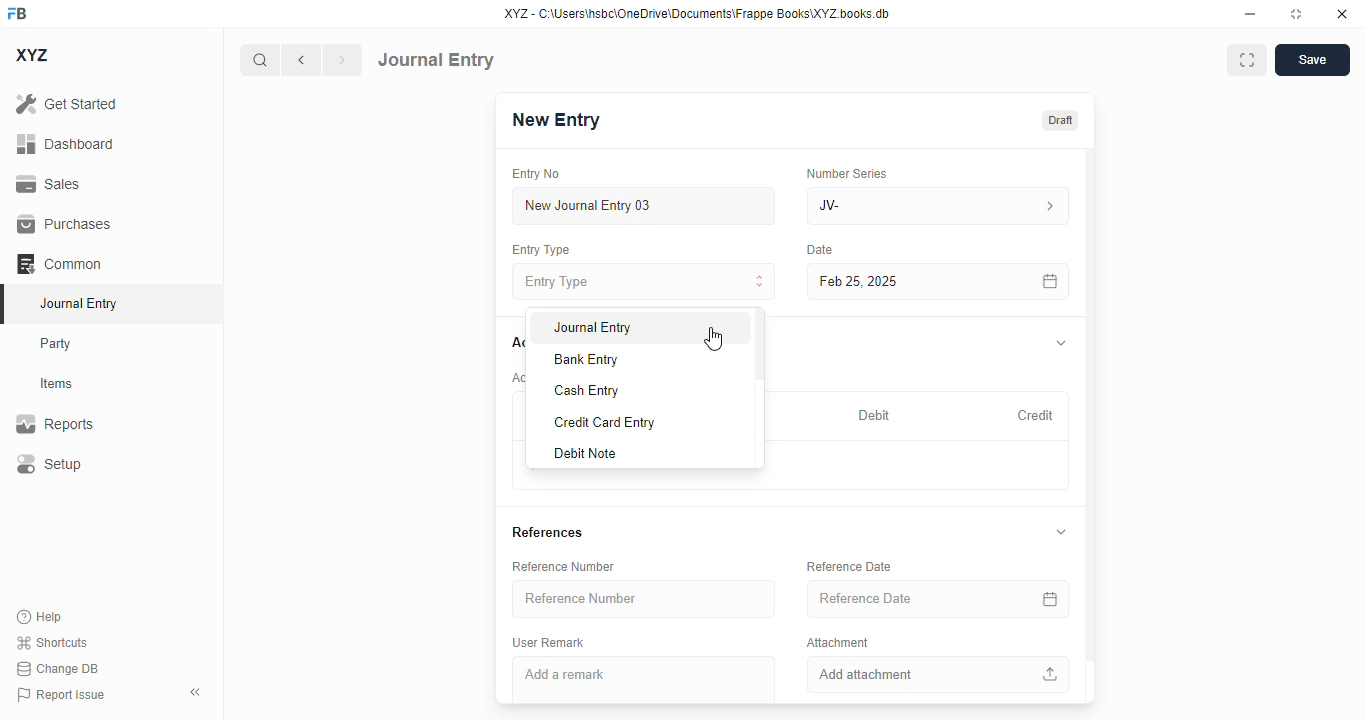 The height and width of the screenshot is (720, 1366). What do you see at coordinates (51, 185) in the screenshot?
I see `sales` at bounding box center [51, 185].